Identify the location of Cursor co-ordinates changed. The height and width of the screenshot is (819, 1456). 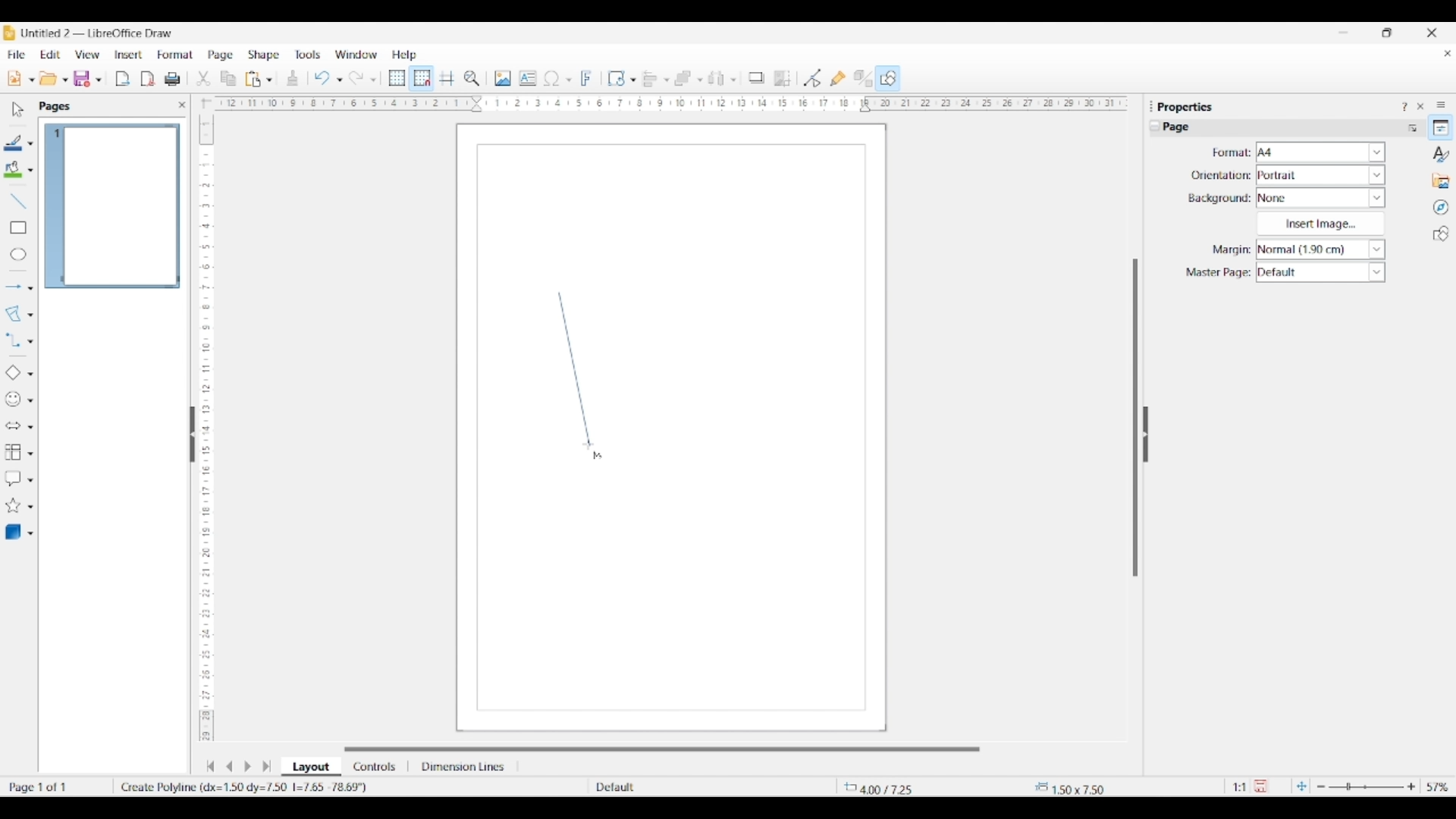
(892, 786).